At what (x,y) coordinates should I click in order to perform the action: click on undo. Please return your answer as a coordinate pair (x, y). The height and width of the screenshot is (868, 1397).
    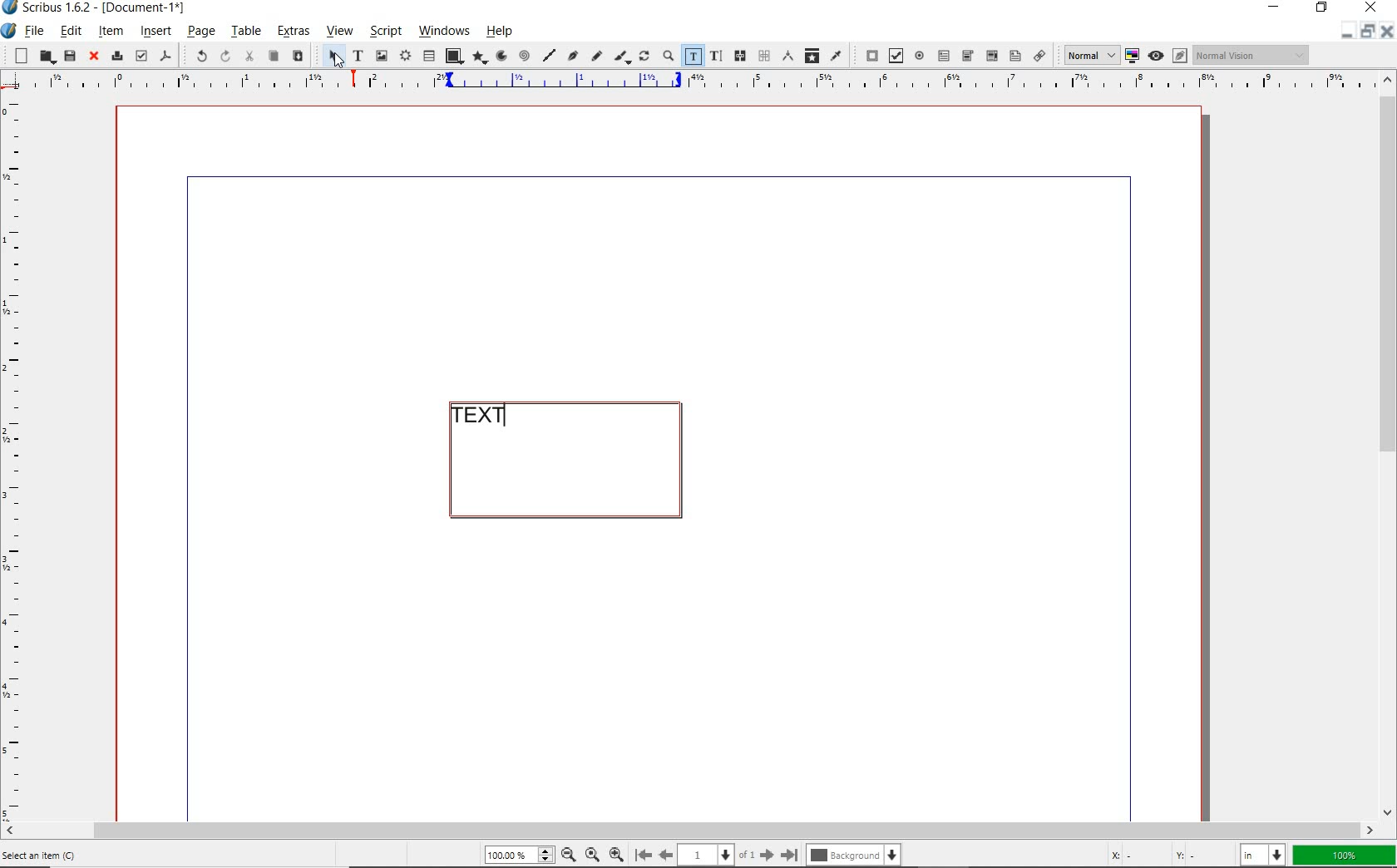
    Looking at the image, I should click on (196, 55).